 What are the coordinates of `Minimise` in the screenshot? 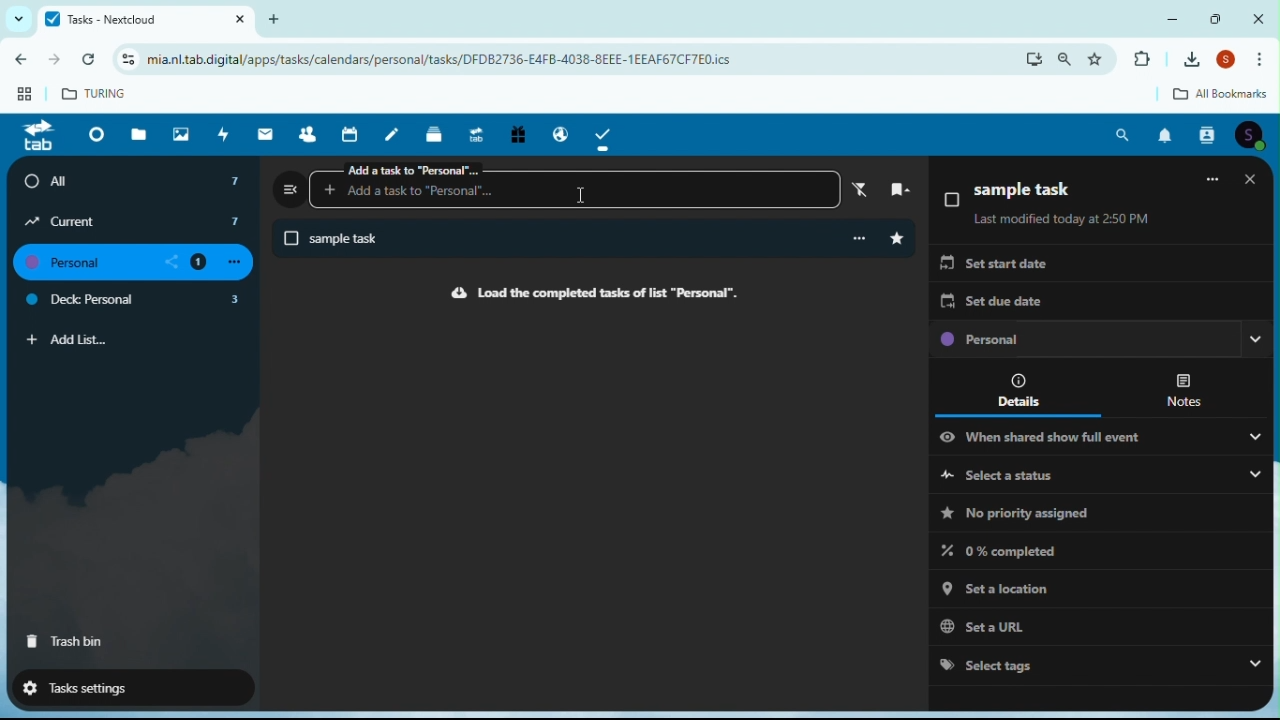 It's located at (1177, 18).